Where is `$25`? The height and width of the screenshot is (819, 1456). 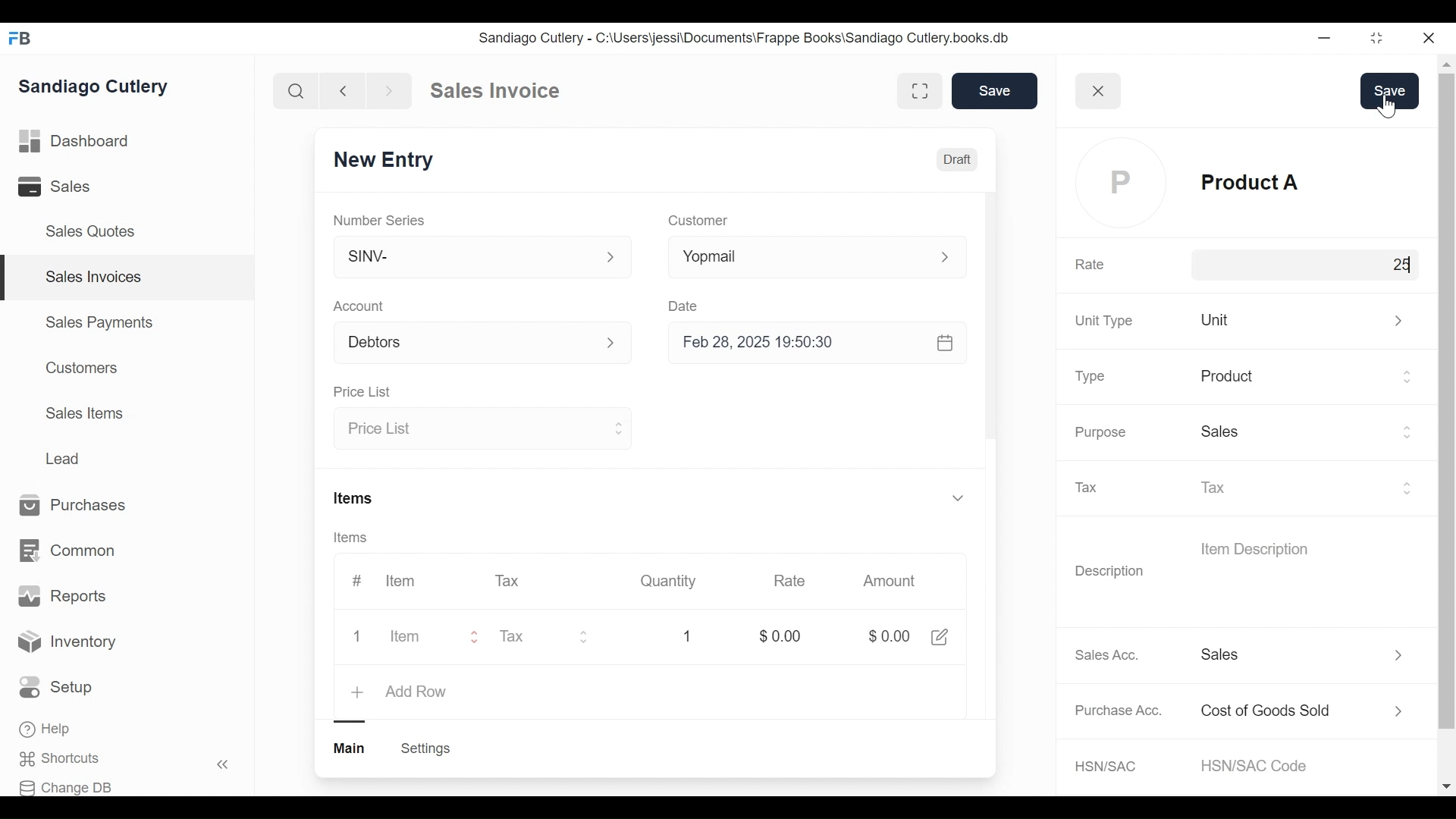 $25 is located at coordinates (1389, 264).